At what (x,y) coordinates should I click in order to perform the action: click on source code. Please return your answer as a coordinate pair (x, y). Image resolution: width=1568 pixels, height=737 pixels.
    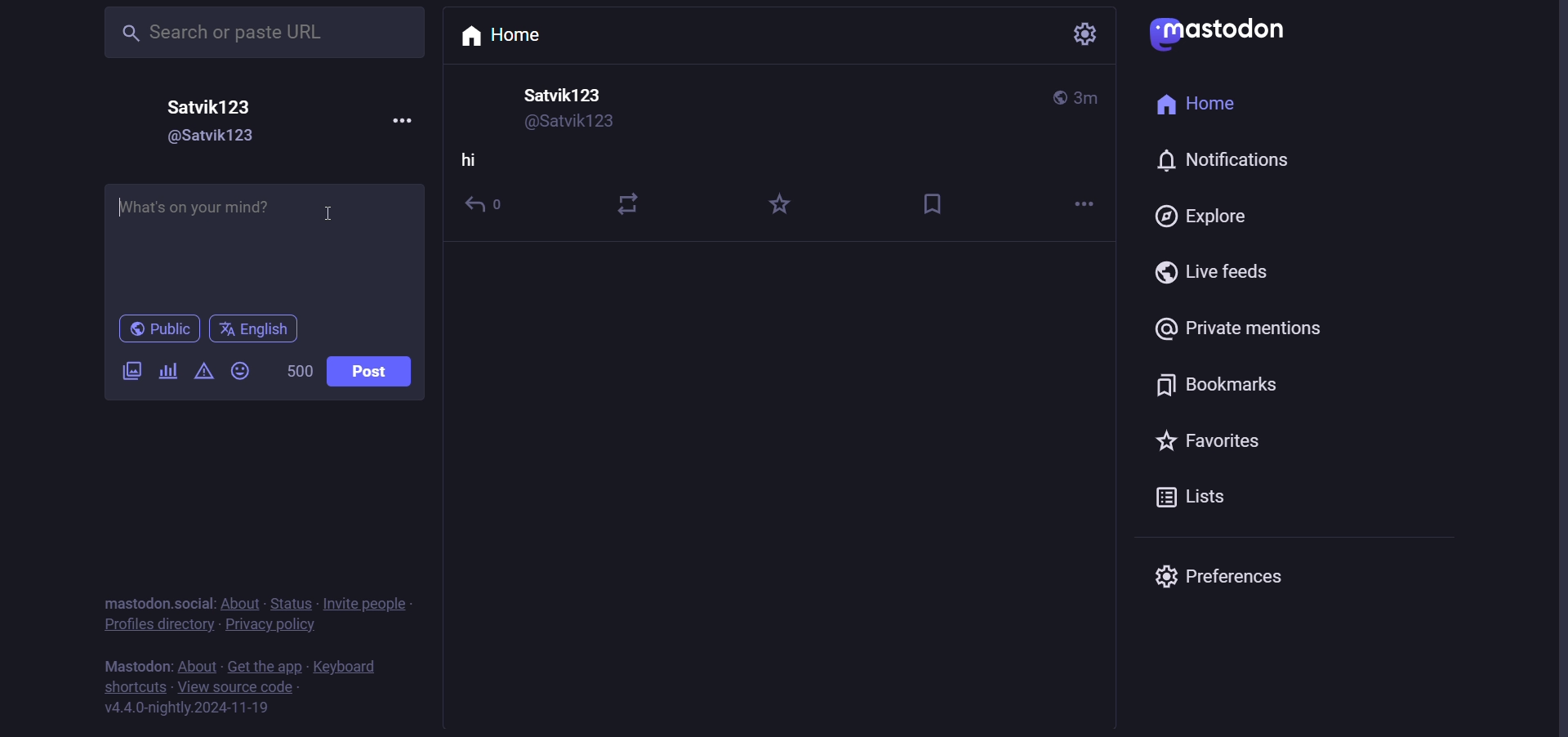
    Looking at the image, I should click on (235, 690).